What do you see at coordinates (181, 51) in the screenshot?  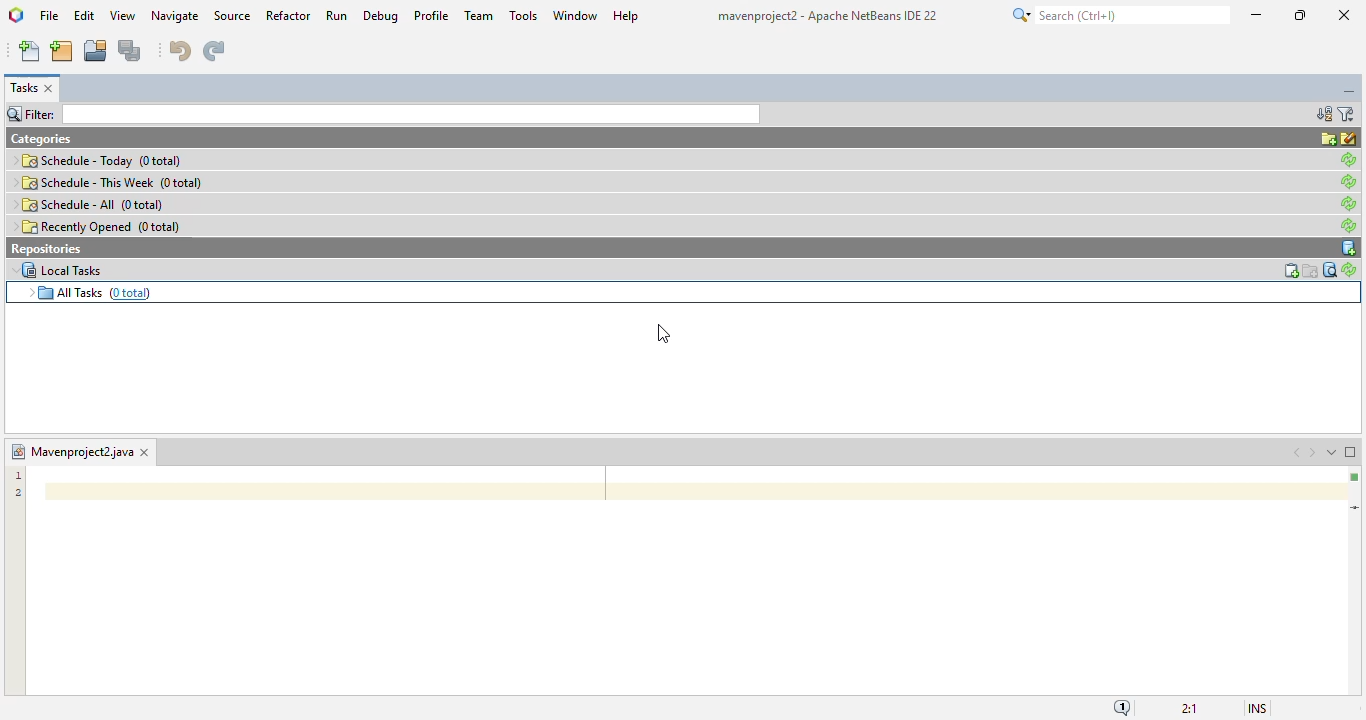 I see `undo` at bounding box center [181, 51].